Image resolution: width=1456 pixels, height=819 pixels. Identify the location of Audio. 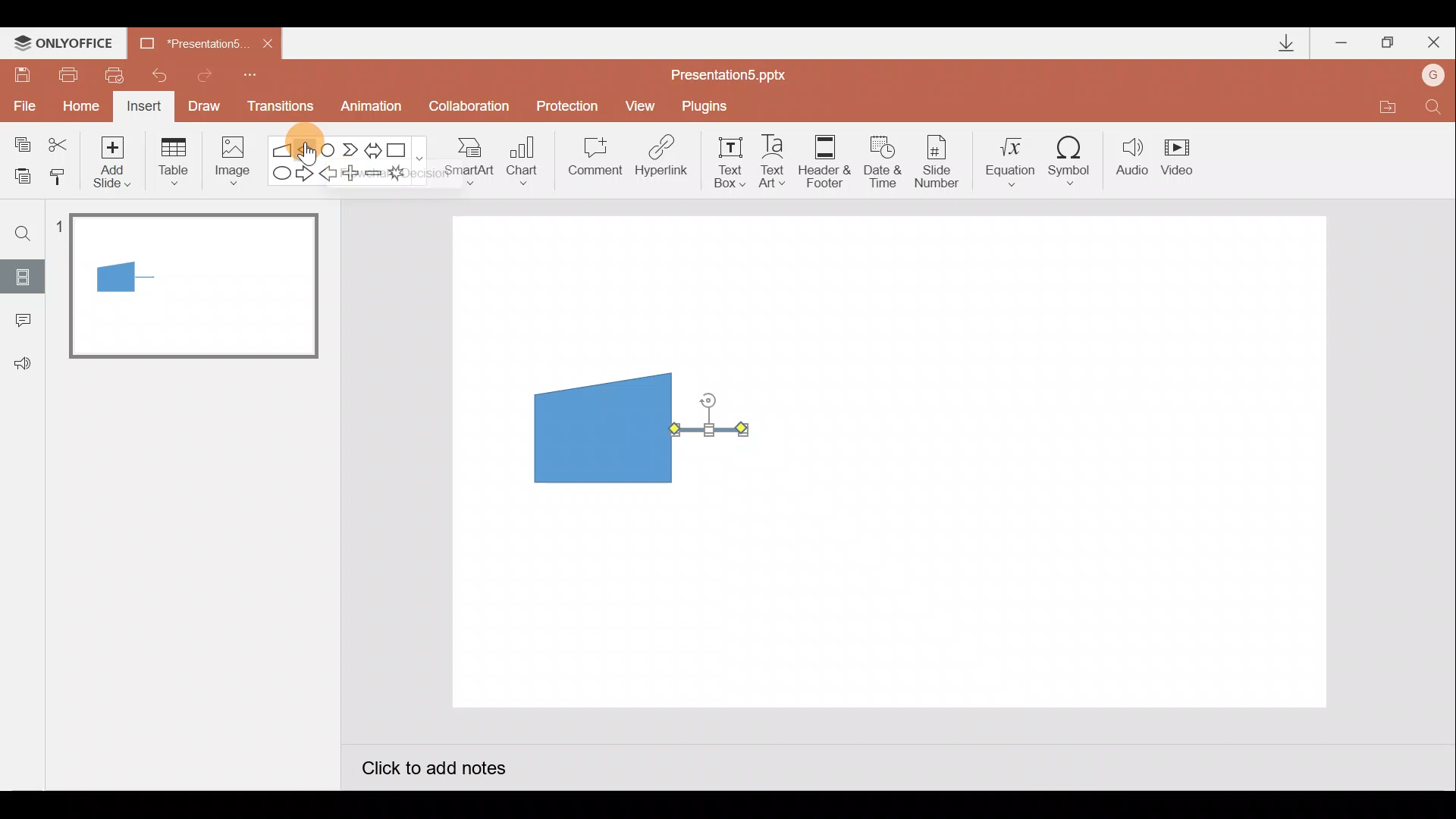
(1133, 160).